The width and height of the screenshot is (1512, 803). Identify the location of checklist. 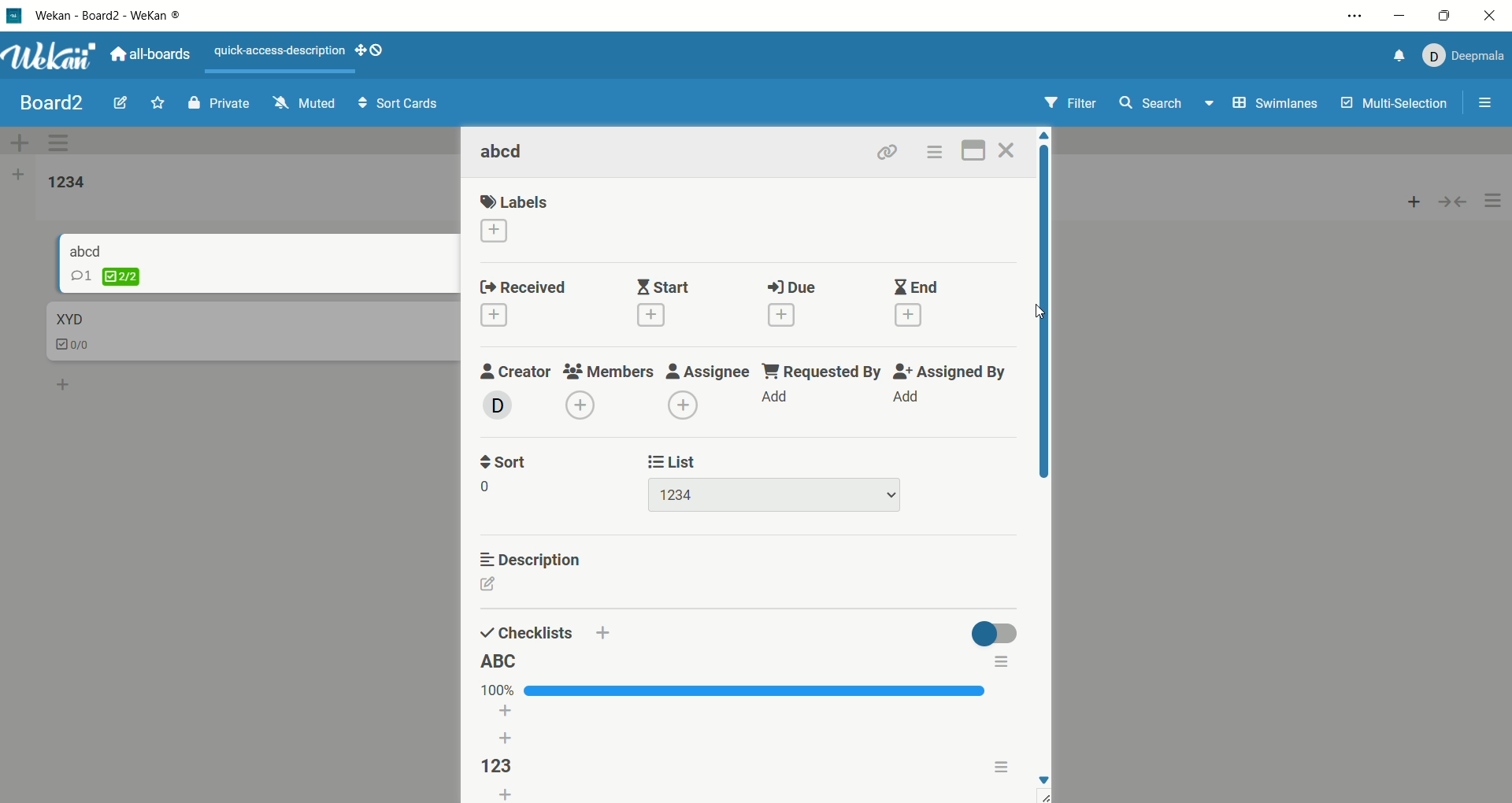
(527, 632).